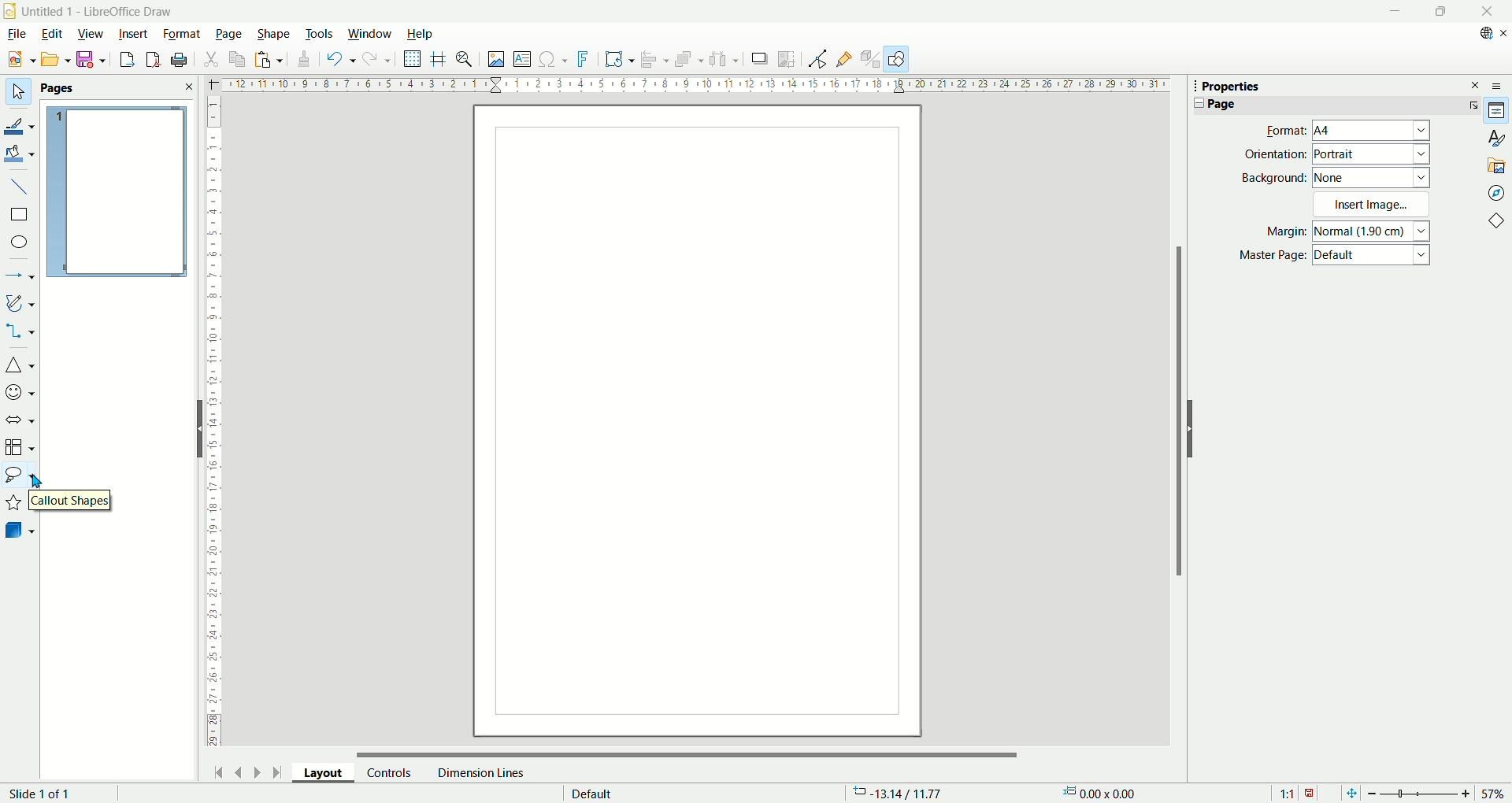 Image resolution: width=1512 pixels, height=803 pixels. I want to click on Sidebar settings, so click(1501, 85).